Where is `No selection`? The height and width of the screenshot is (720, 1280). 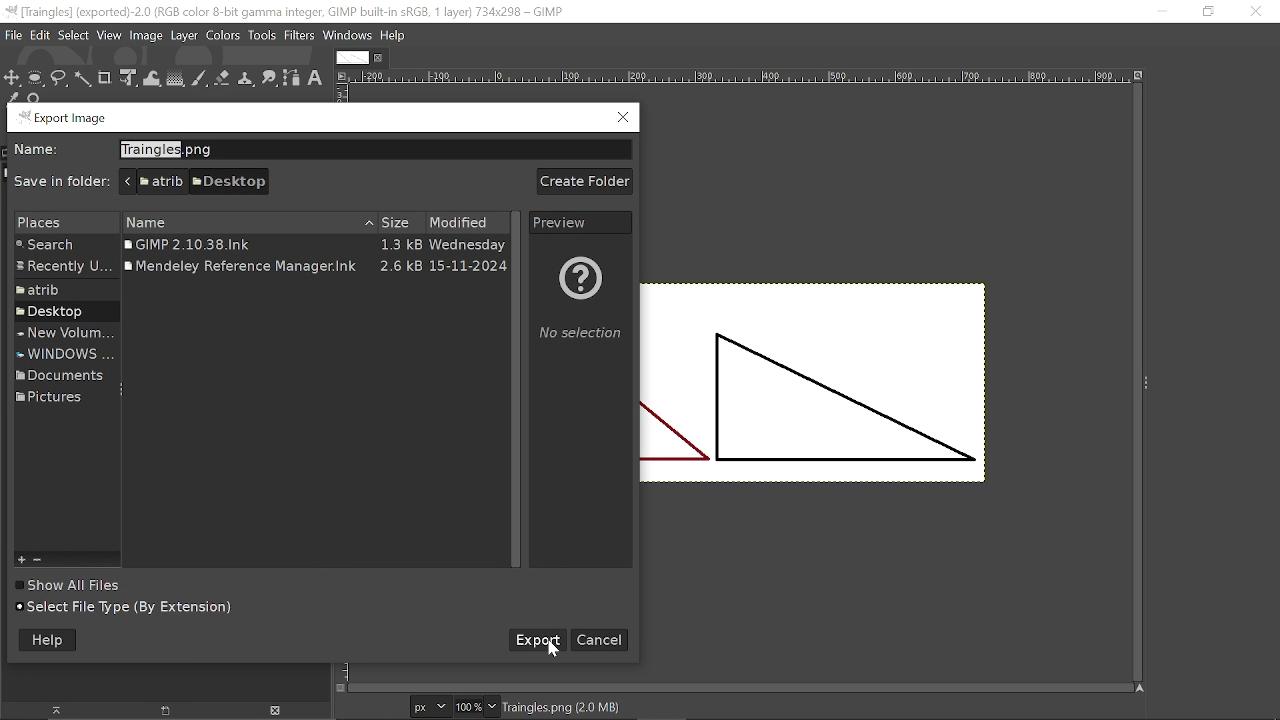
No selection is located at coordinates (582, 307).